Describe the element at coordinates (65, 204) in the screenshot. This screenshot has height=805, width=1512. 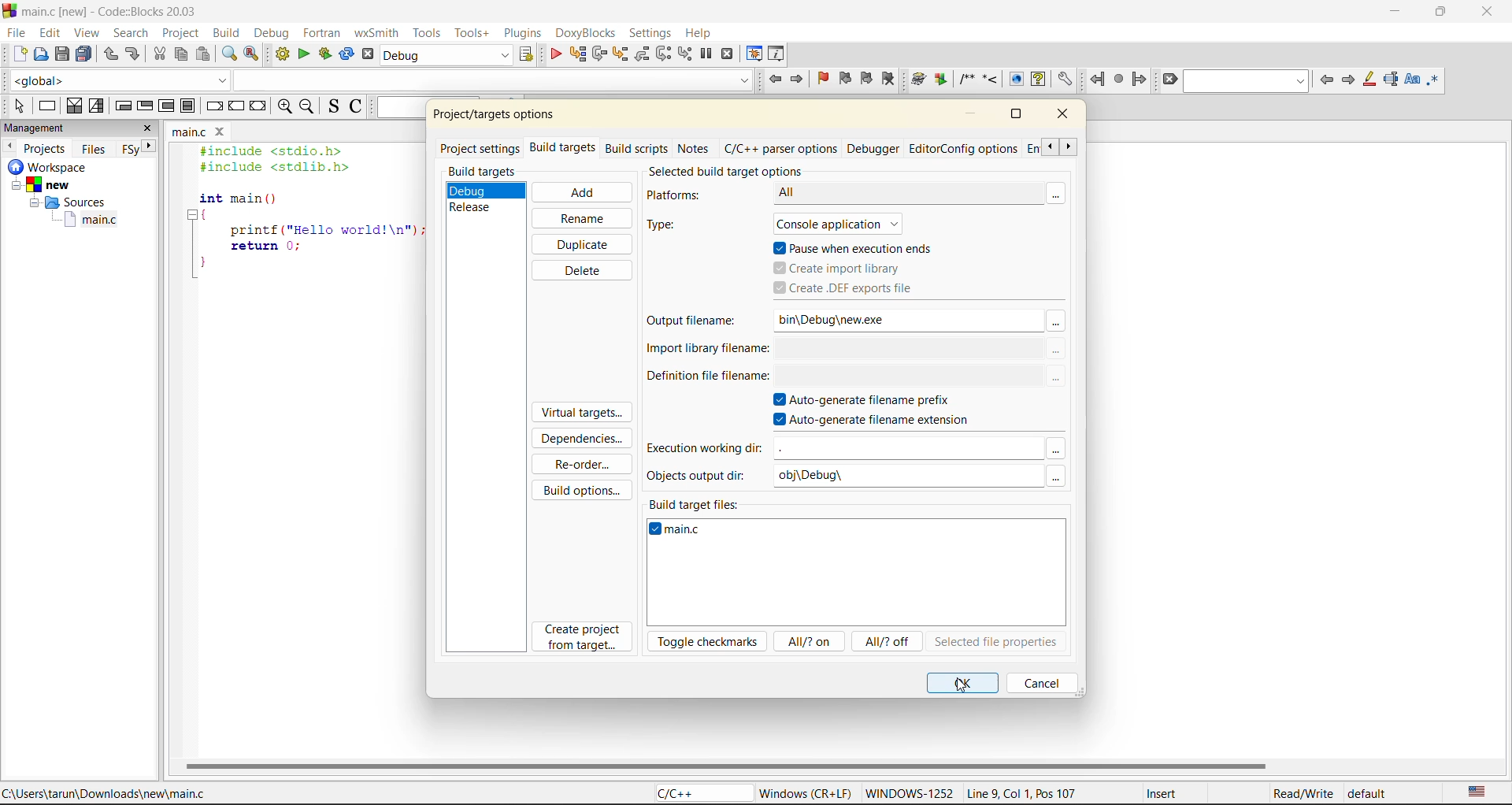
I see `Sources` at that location.